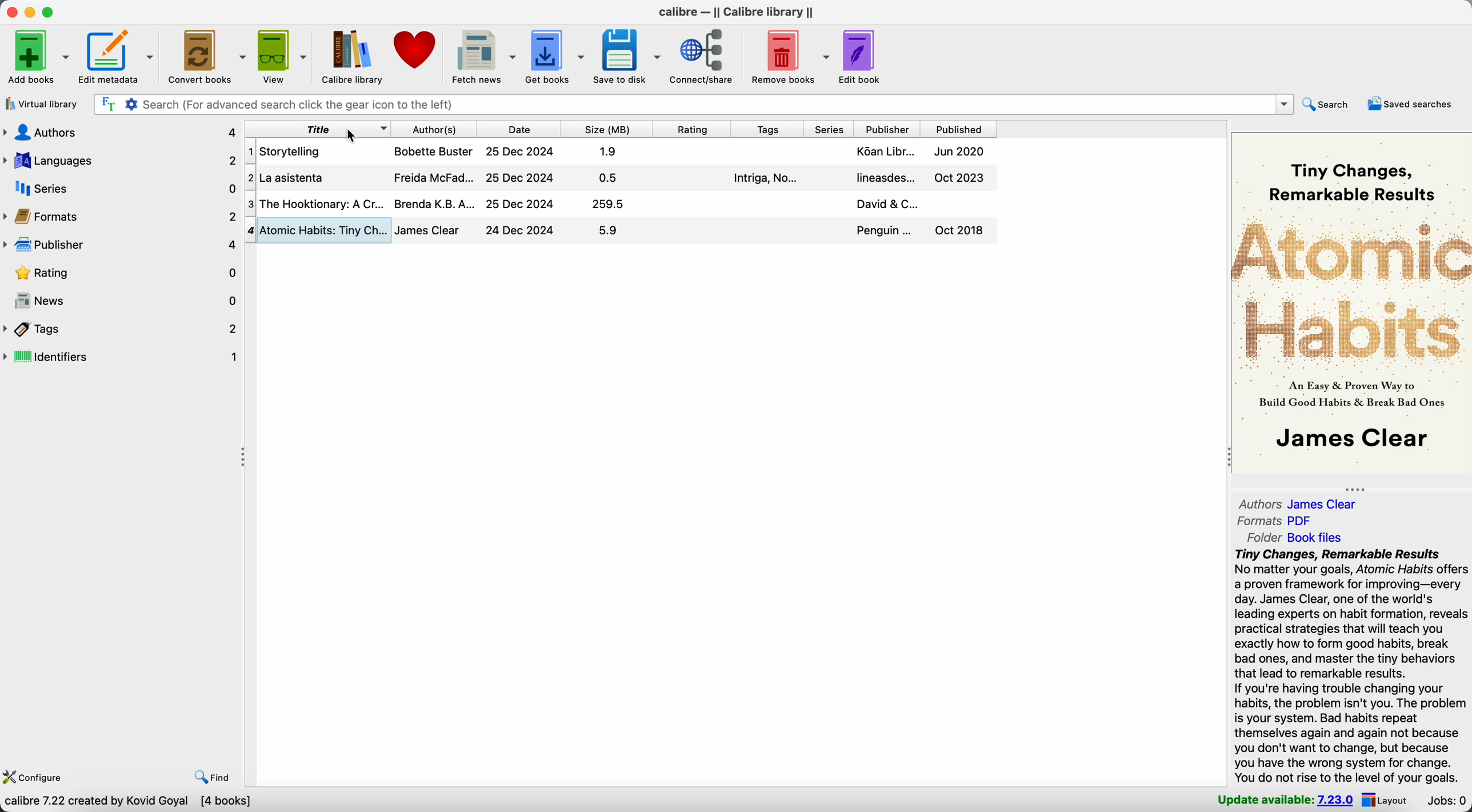 The width and height of the screenshot is (1472, 812). What do you see at coordinates (128, 802) in the screenshot?
I see `Calibre 7.22 created by Kovid Goyal [4 books]` at bounding box center [128, 802].